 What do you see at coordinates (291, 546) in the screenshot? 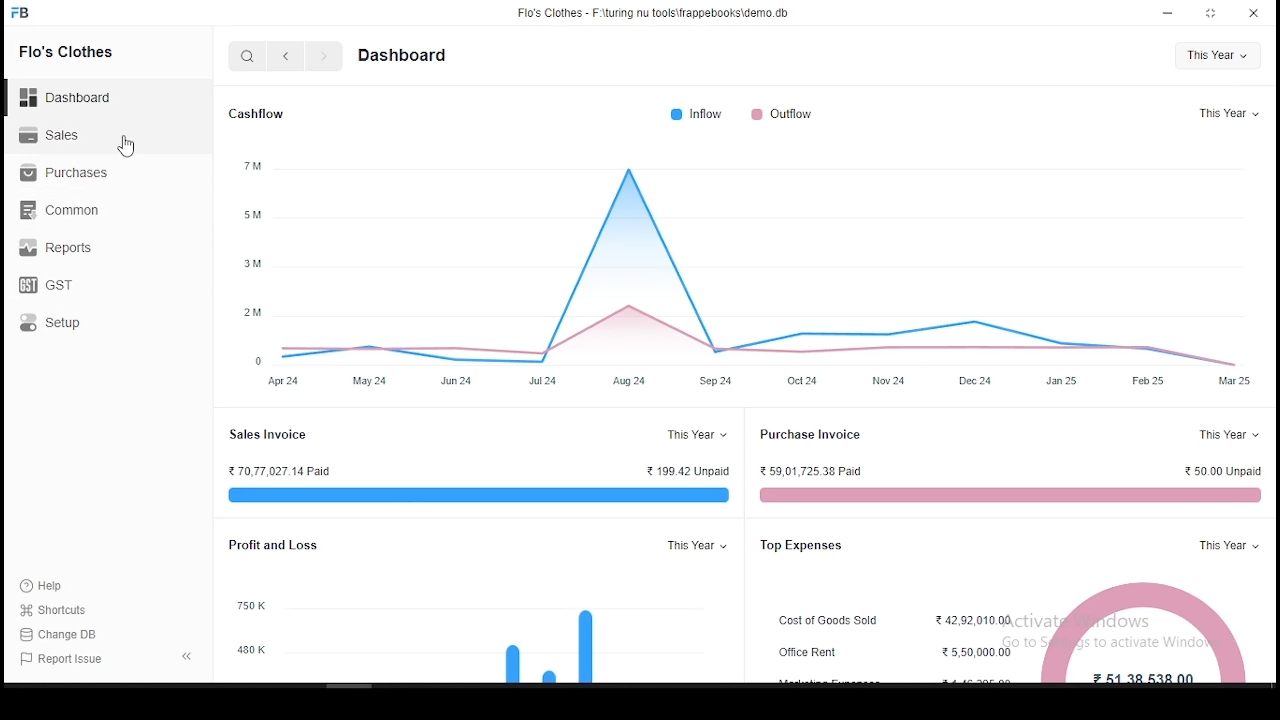
I see `profit and loss` at bounding box center [291, 546].